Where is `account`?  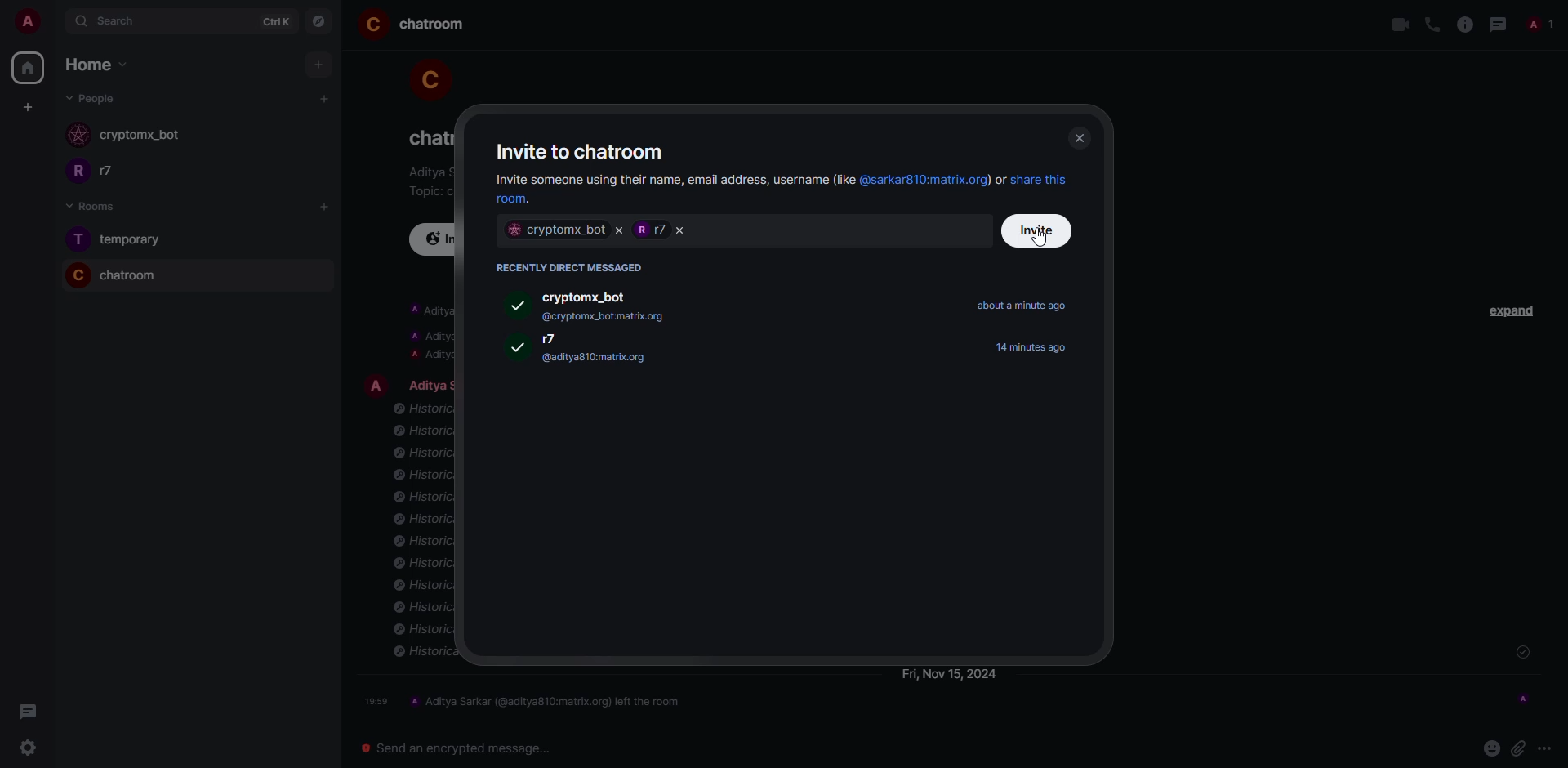 account is located at coordinates (34, 23).